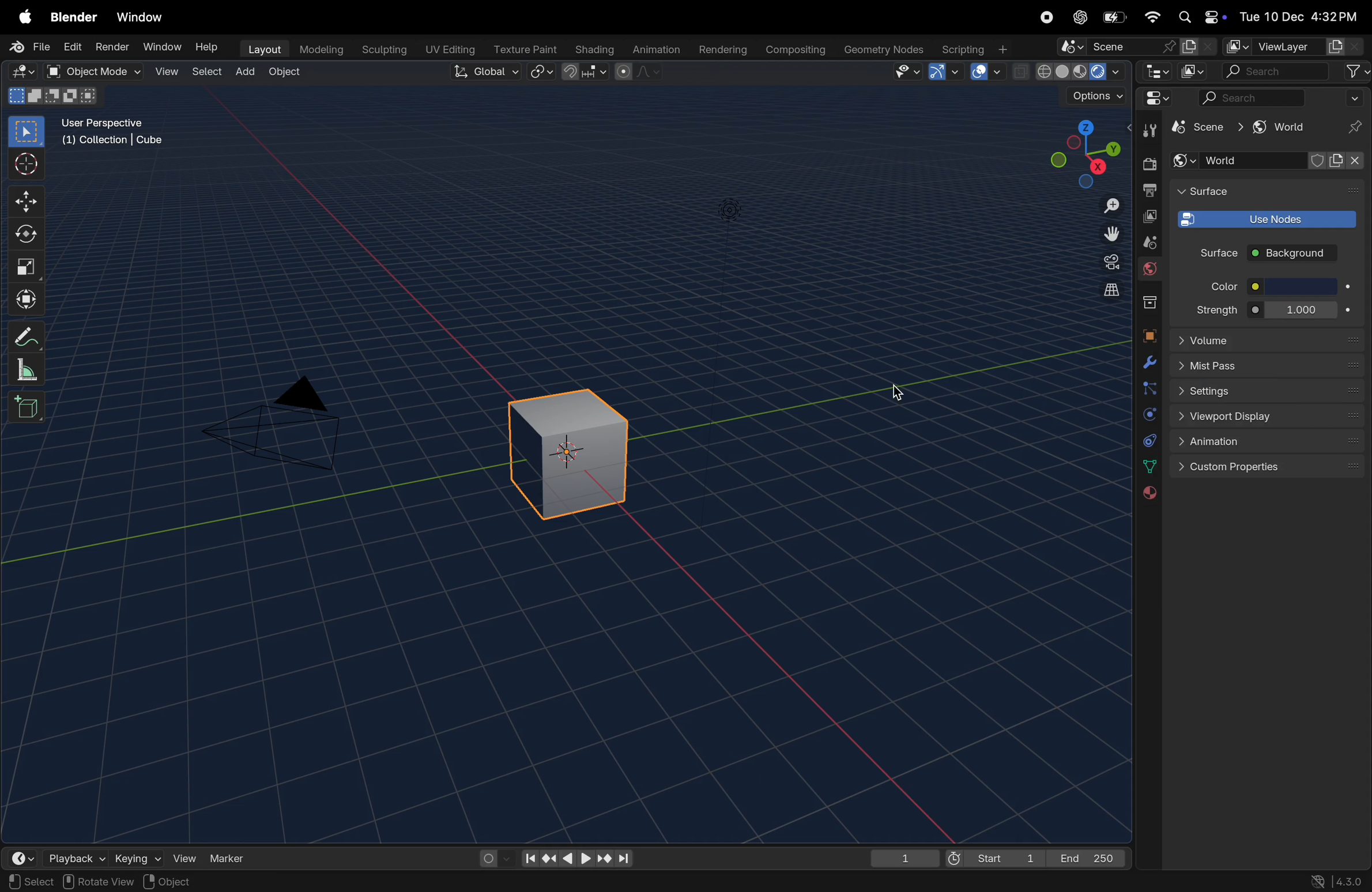  Describe the element at coordinates (1148, 440) in the screenshot. I see `constraints` at that location.